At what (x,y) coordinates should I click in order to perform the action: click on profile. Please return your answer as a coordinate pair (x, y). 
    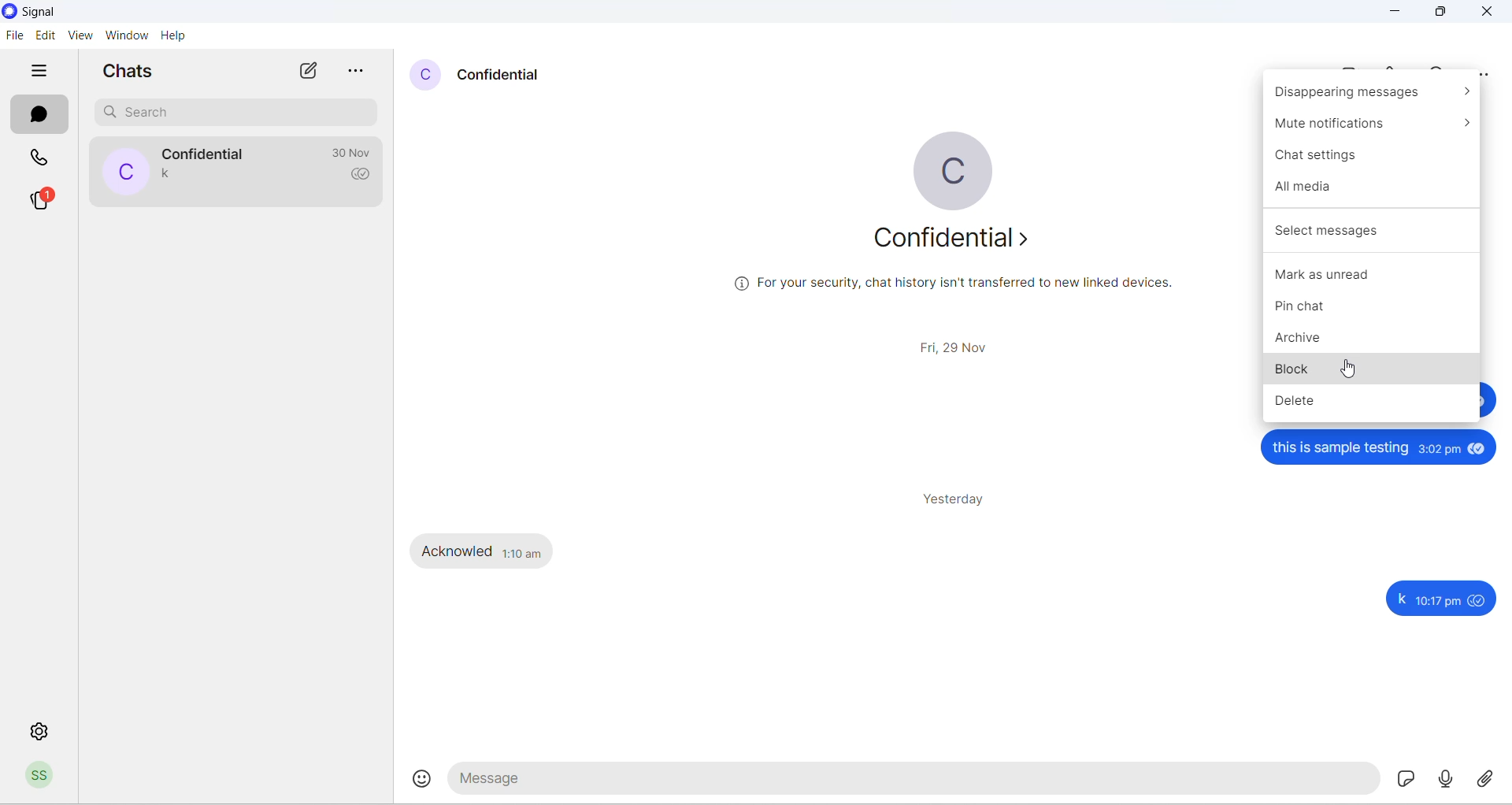
    Looking at the image, I should click on (40, 777).